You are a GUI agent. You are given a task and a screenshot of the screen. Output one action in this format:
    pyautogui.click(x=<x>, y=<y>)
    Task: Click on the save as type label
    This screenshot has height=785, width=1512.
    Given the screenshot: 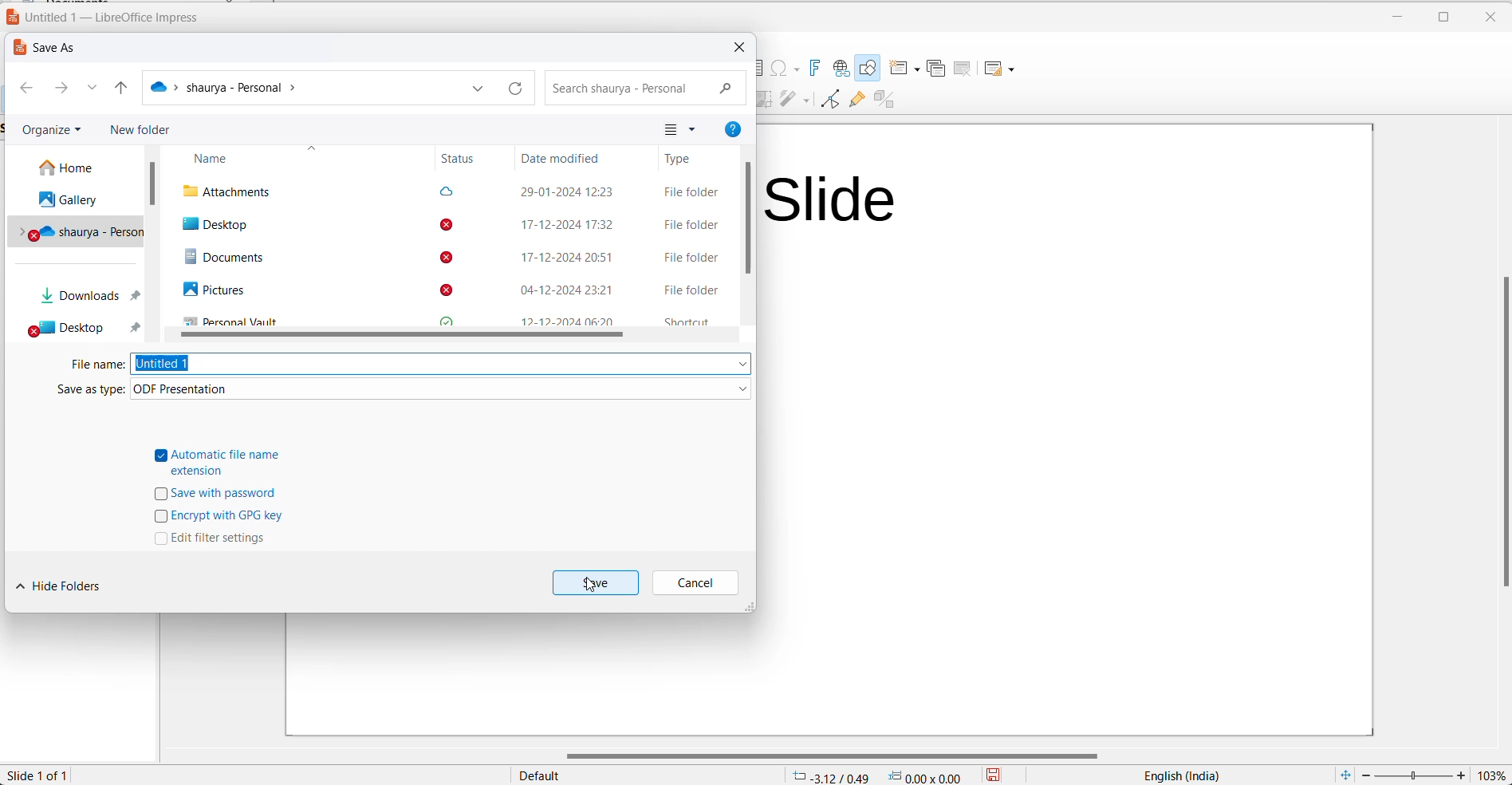 What is the action you would take?
    pyautogui.click(x=84, y=392)
    